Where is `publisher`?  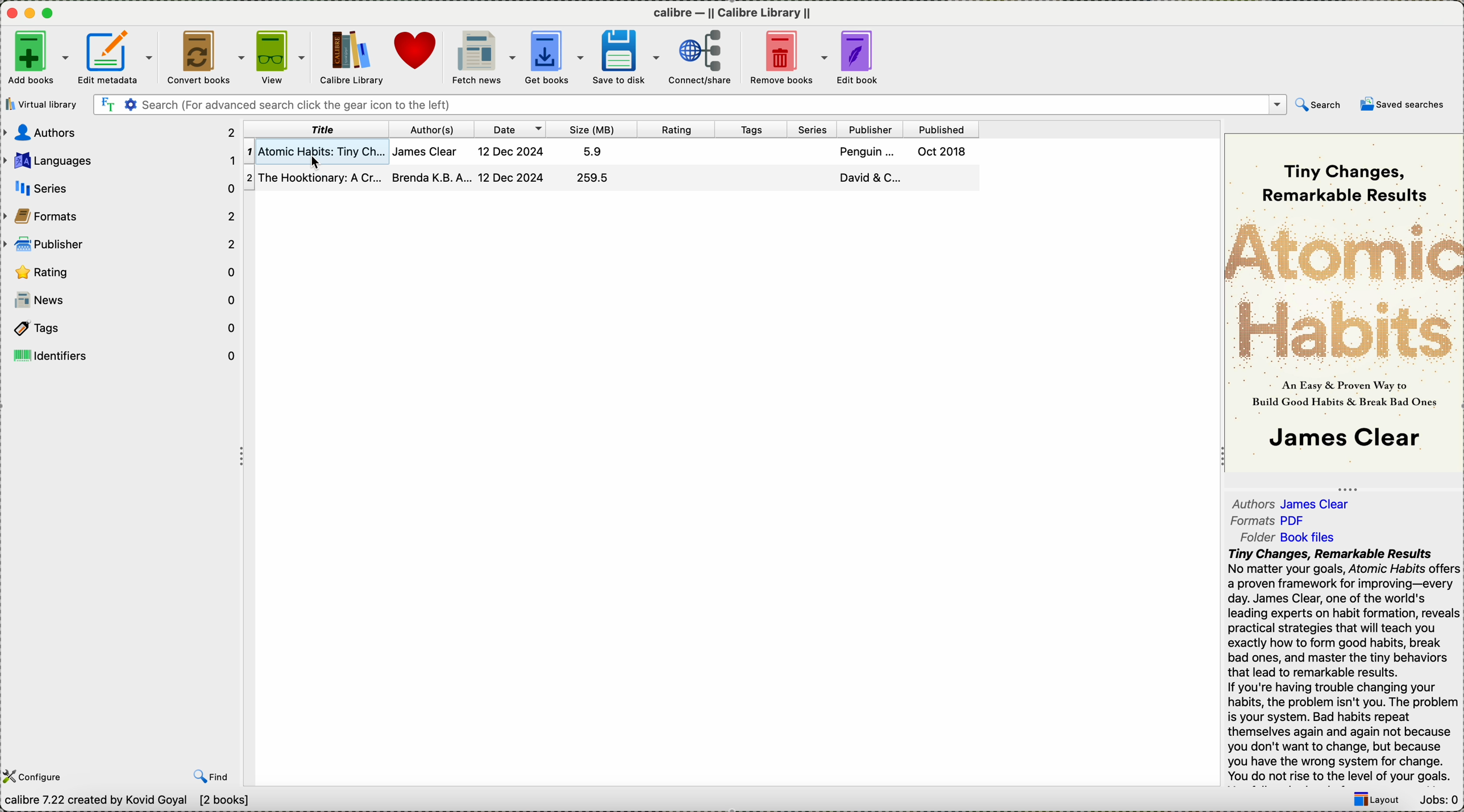 publisher is located at coordinates (120, 245).